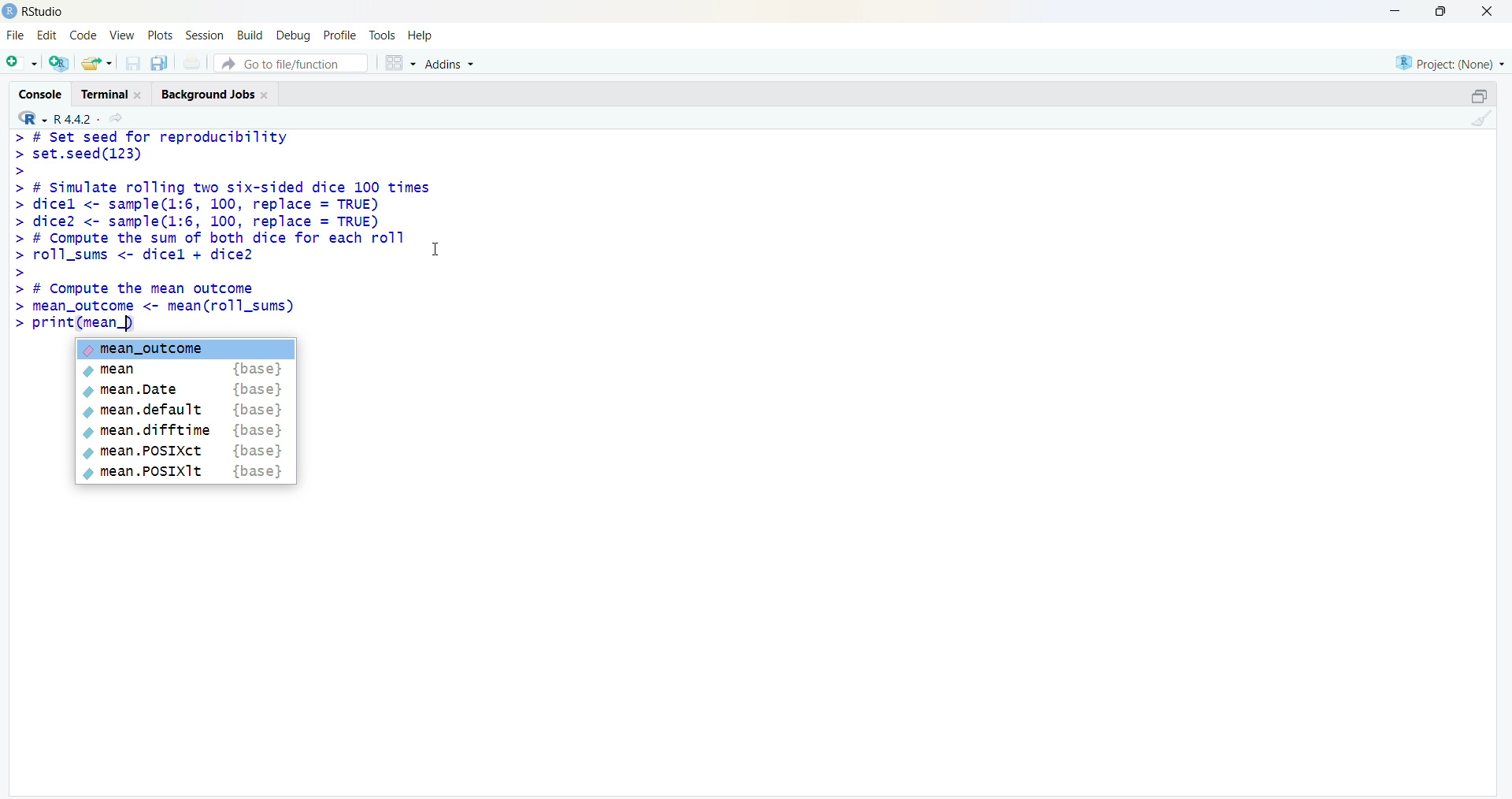 This screenshot has width=1512, height=799. What do you see at coordinates (9, 11) in the screenshot?
I see `logo` at bounding box center [9, 11].